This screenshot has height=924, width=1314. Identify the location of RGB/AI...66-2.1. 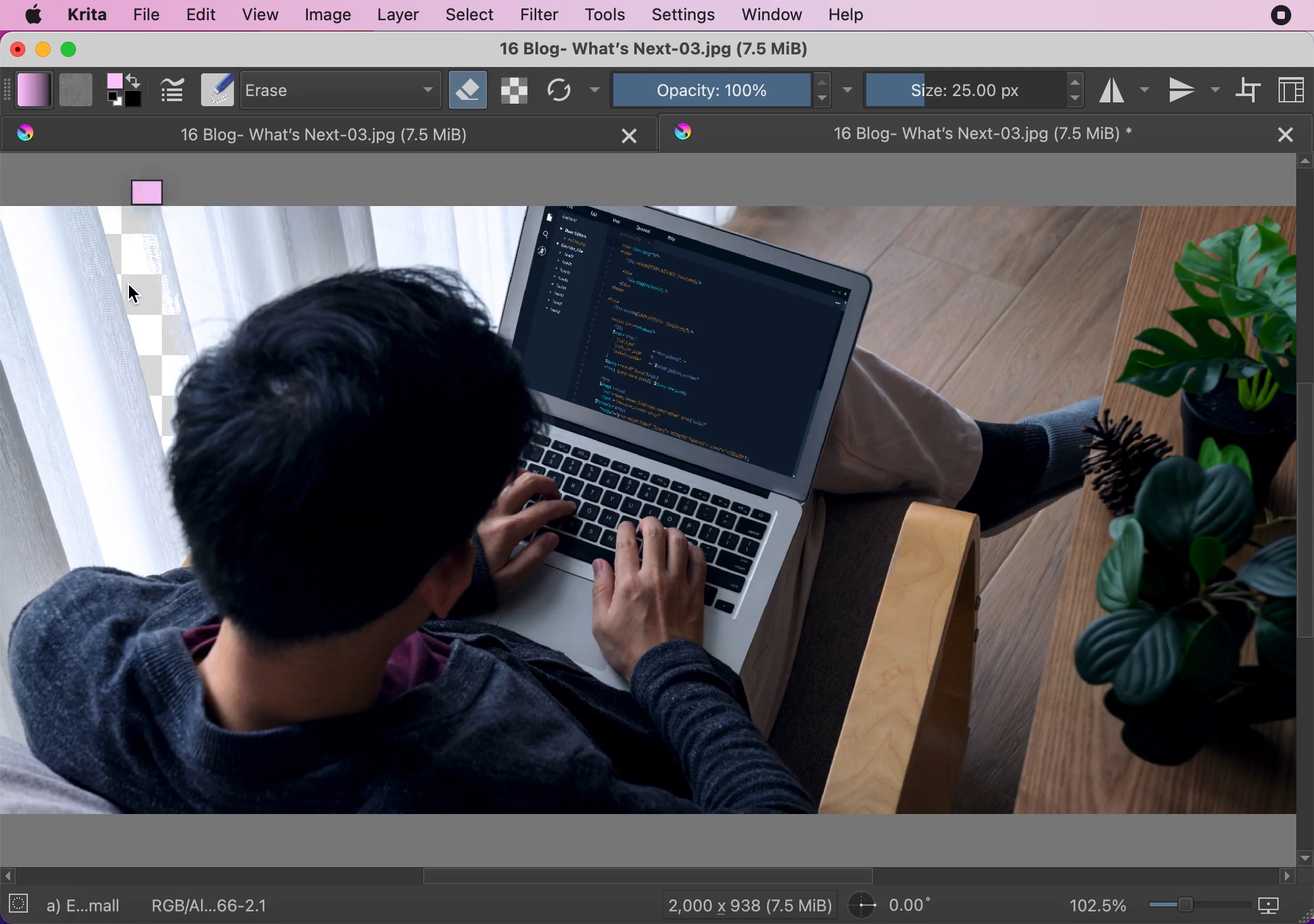
(214, 905).